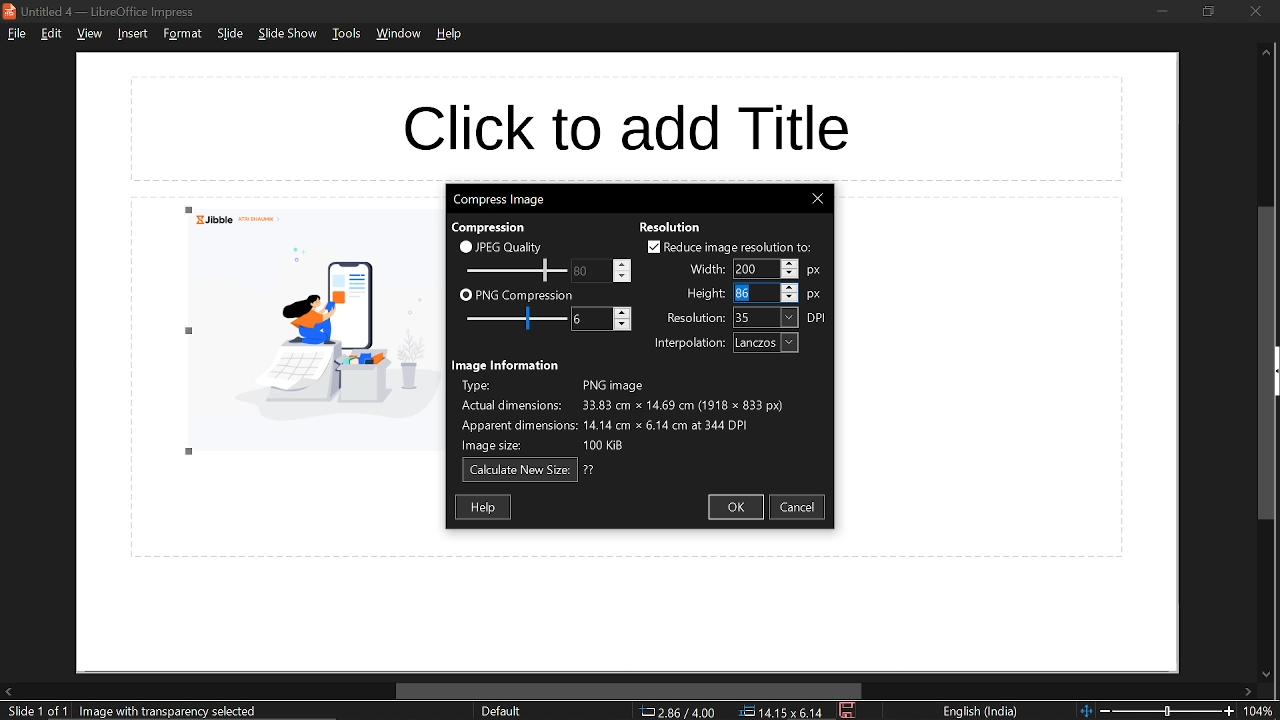  What do you see at coordinates (790, 274) in the screenshot?
I see `decrease width` at bounding box center [790, 274].